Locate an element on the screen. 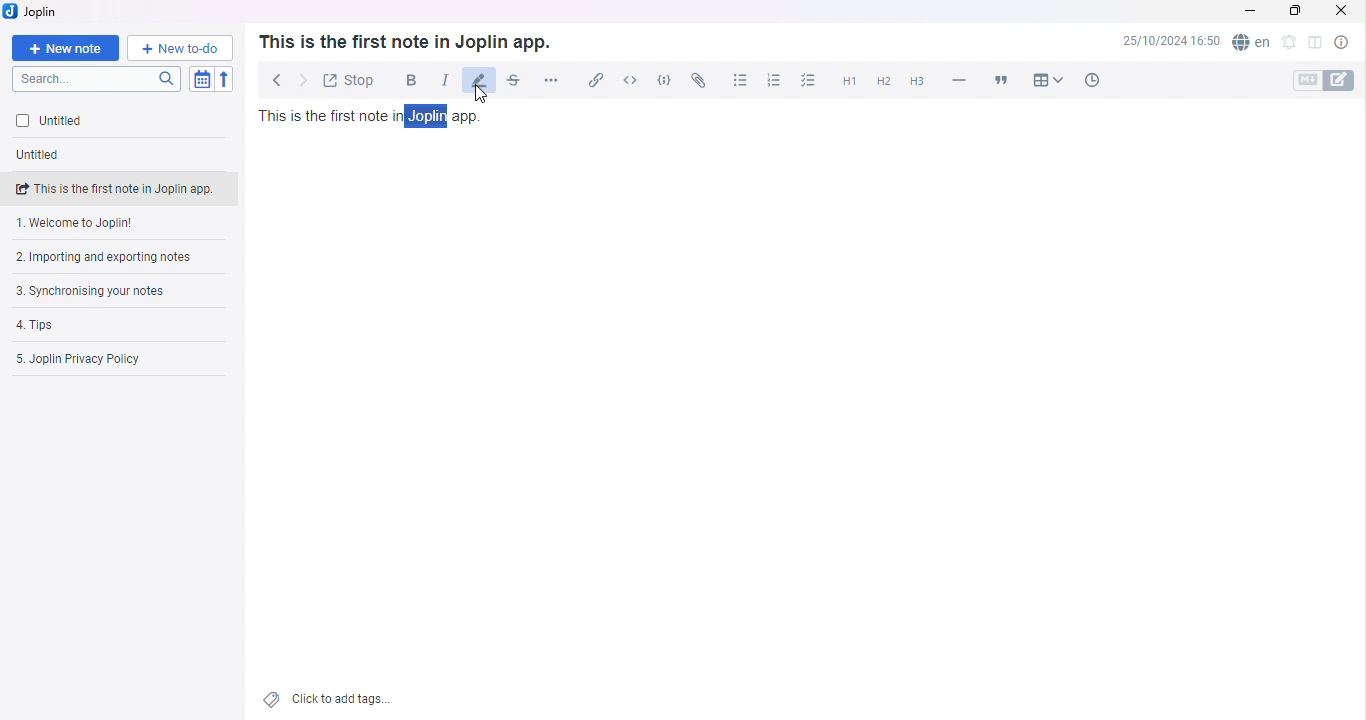  Highlight is located at coordinates (478, 81).